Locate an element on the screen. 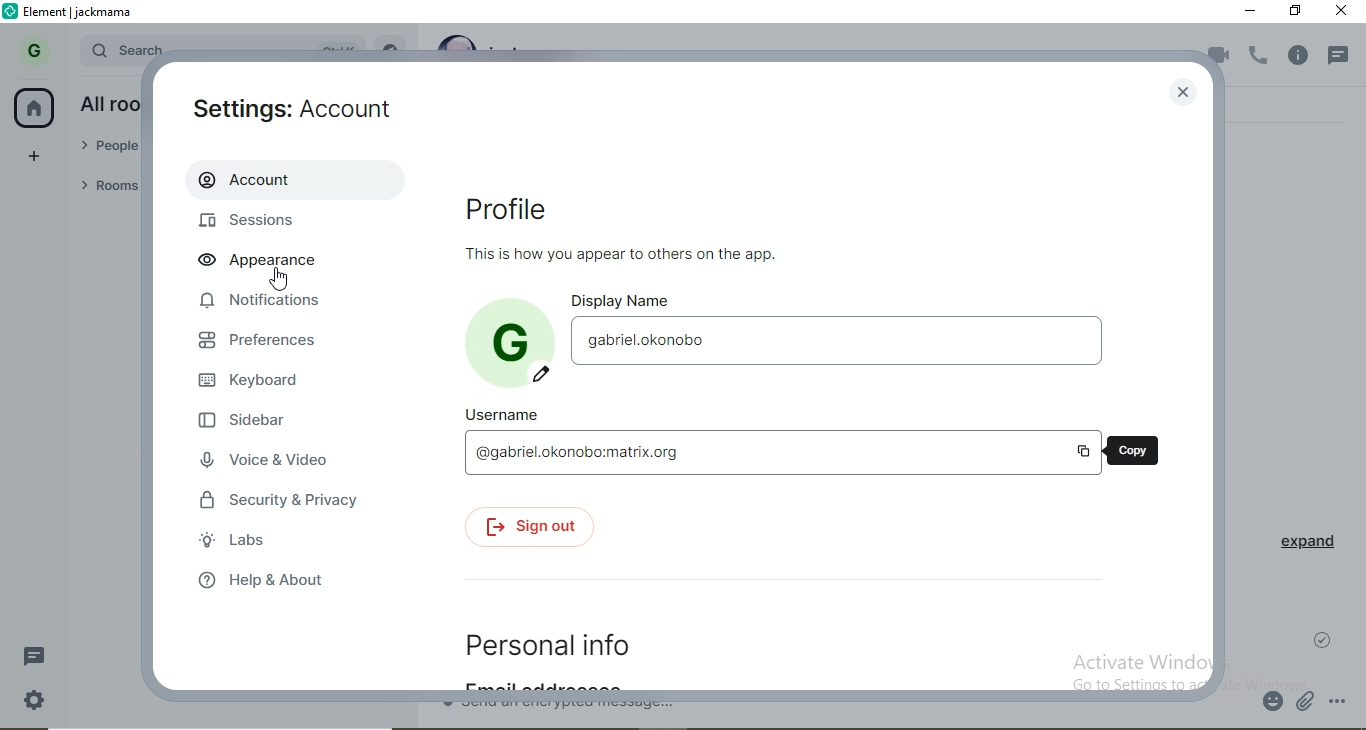 This screenshot has width=1366, height=730. sessions is located at coordinates (250, 219).